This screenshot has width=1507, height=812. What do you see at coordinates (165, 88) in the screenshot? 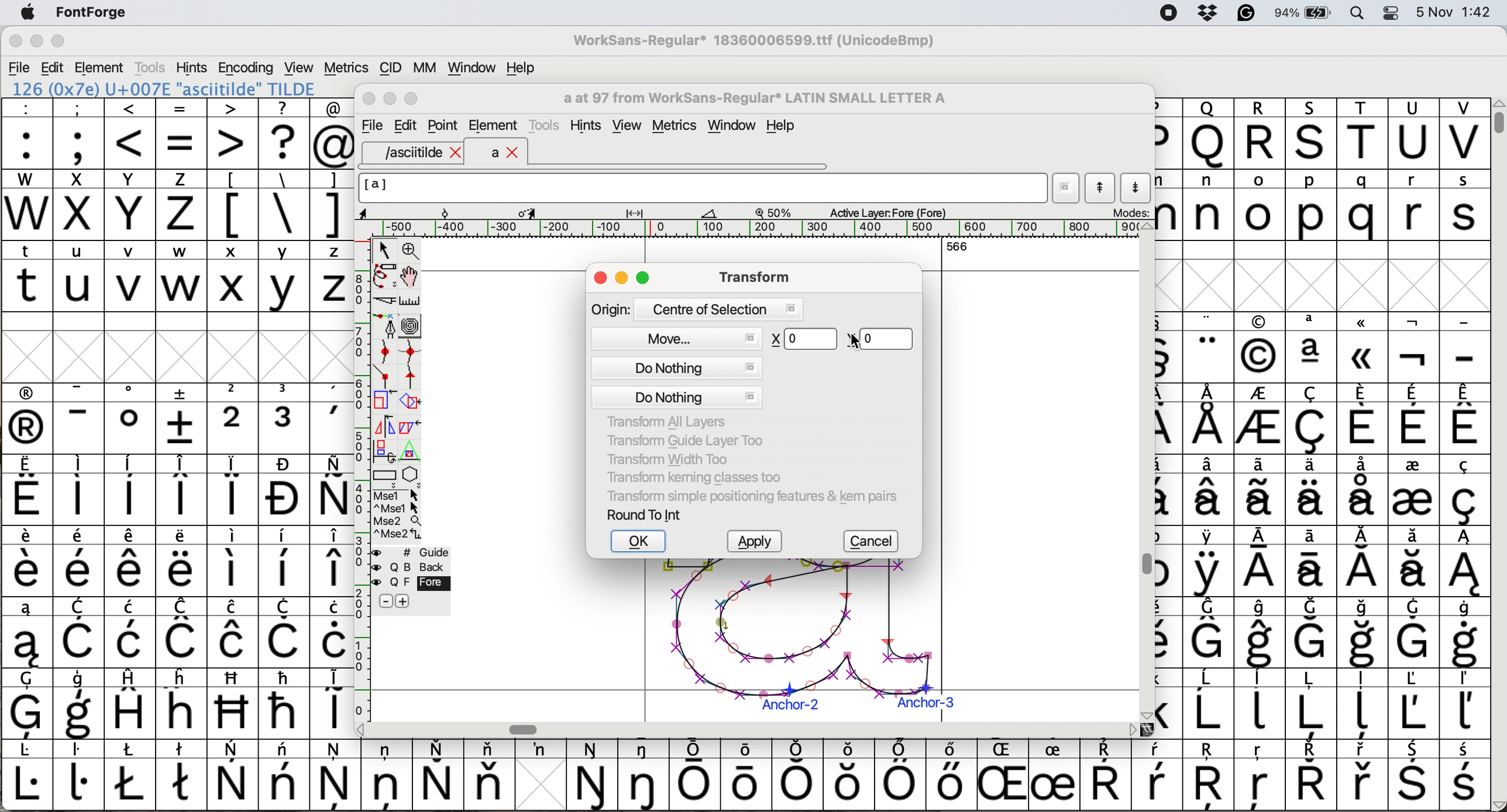
I see `126 (0x7e) U+007E "asciitilde" TILDE` at bounding box center [165, 88].